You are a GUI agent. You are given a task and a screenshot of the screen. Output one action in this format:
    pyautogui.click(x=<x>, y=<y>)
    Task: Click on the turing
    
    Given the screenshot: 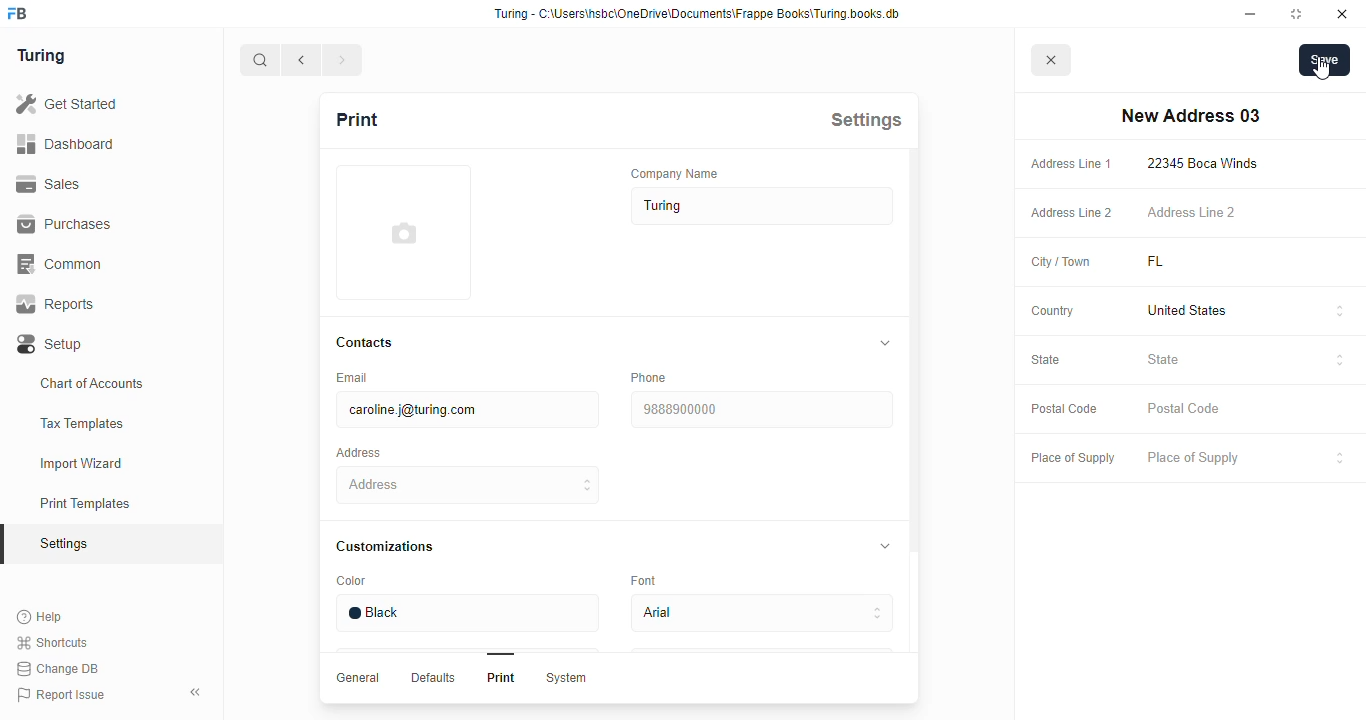 What is the action you would take?
    pyautogui.click(x=763, y=206)
    